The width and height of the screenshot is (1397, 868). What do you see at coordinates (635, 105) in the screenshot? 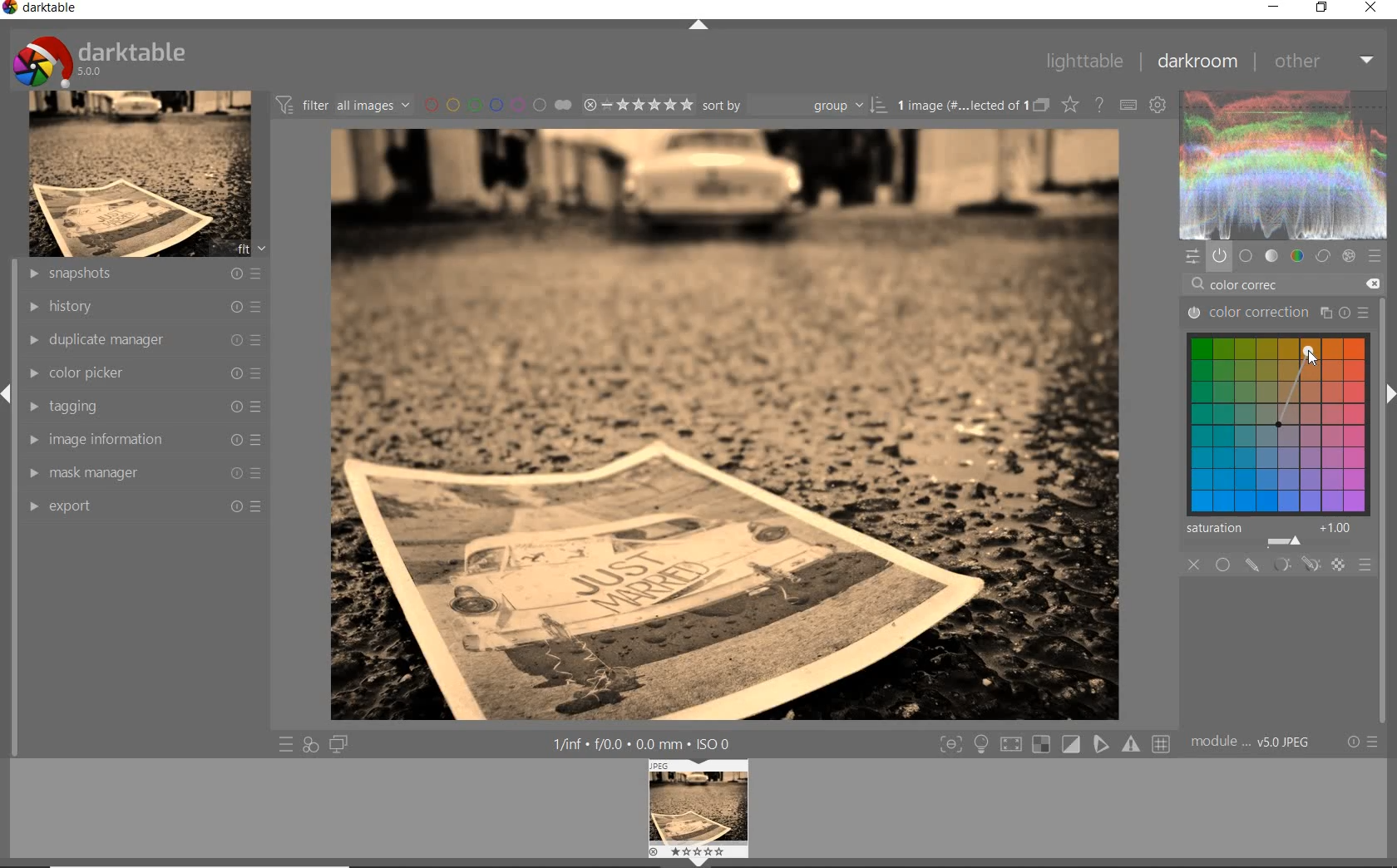
I see `selected image range rating` at bounding box center [635, 105].